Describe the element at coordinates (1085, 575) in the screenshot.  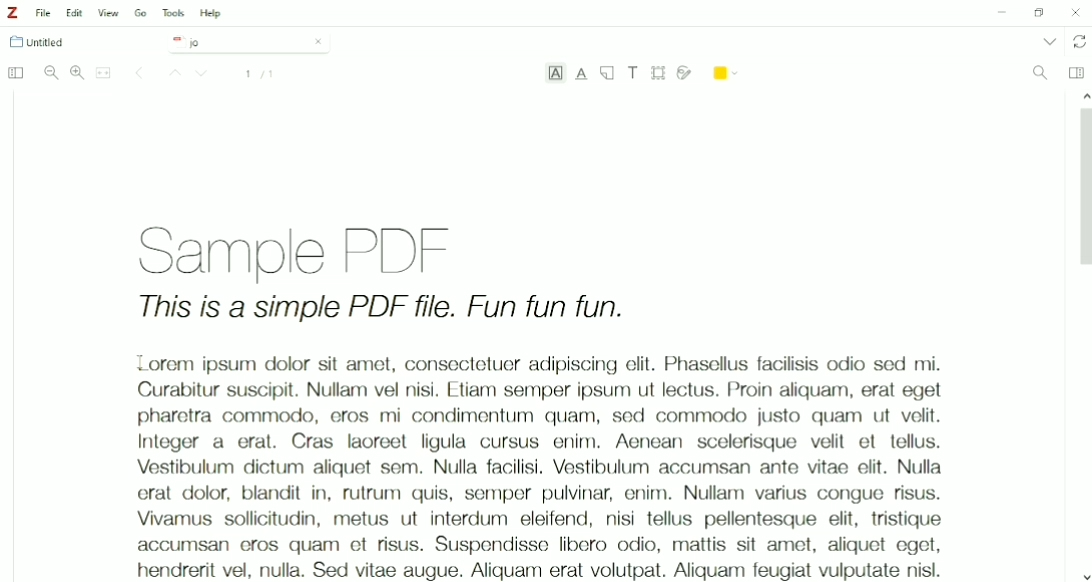
I see `Down` at that location.